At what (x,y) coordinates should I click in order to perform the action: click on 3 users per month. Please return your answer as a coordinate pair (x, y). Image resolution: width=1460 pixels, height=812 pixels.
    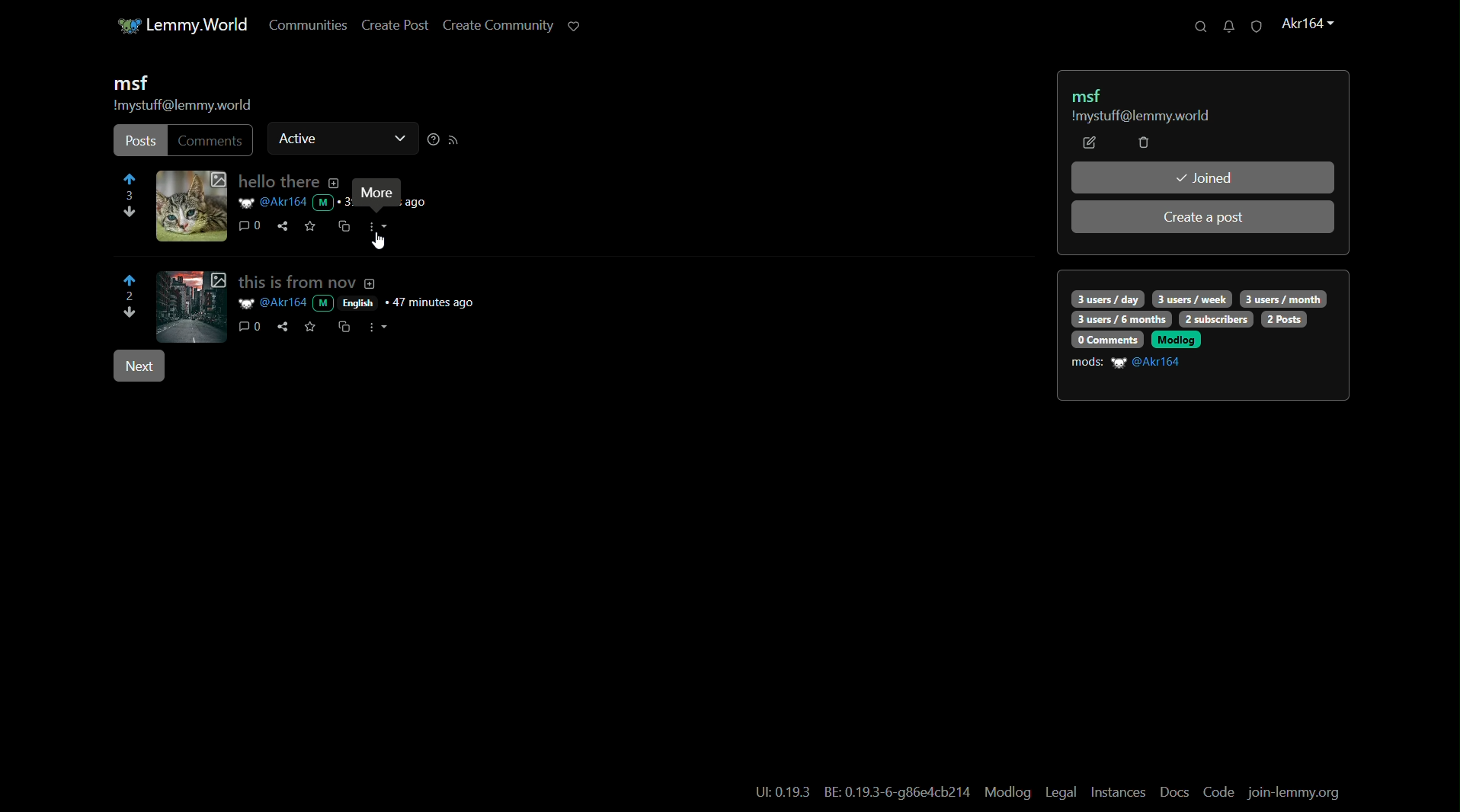
    Looking at the image, I should click on (1282, 298).